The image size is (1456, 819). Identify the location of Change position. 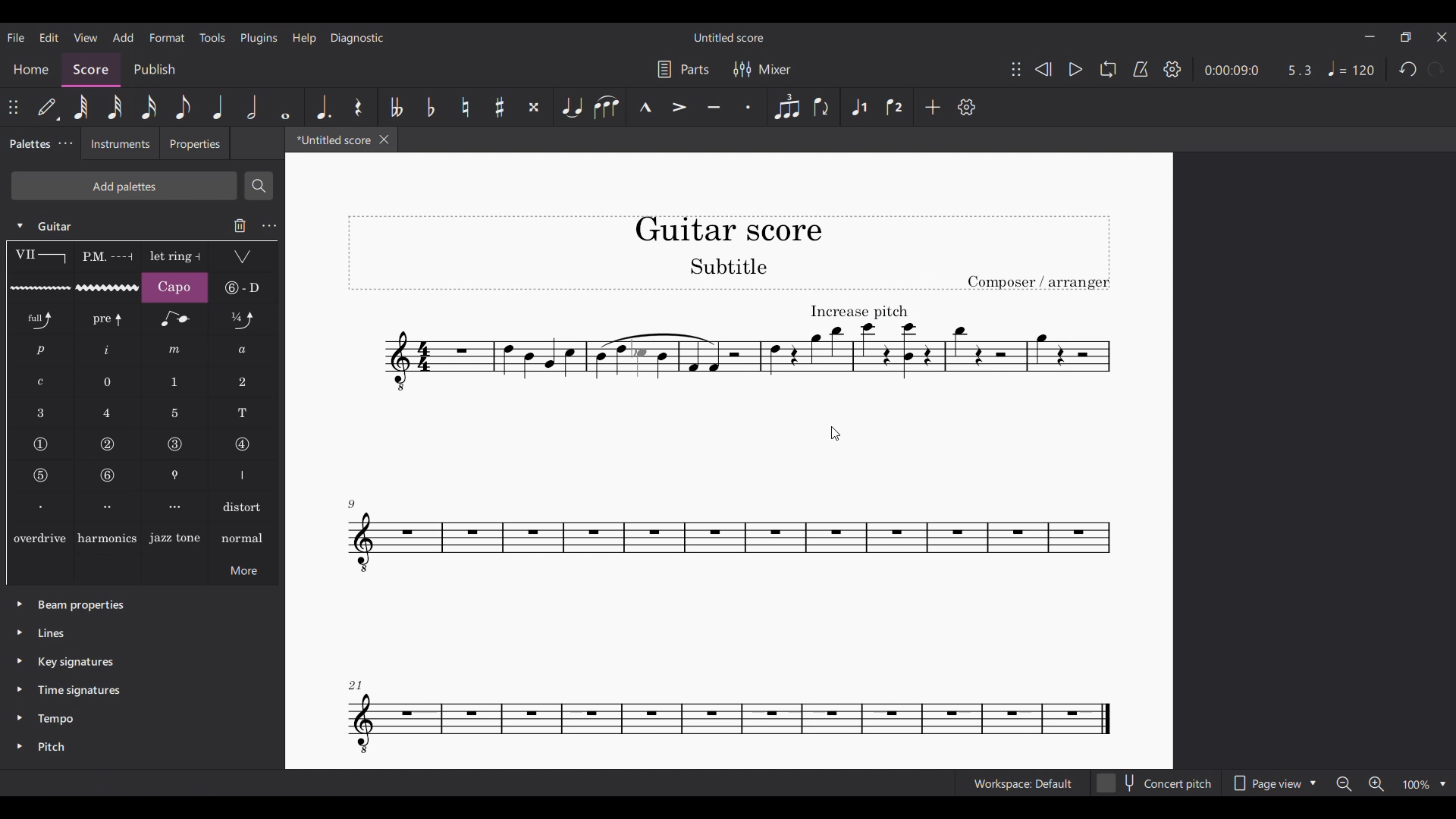
(13, 107).